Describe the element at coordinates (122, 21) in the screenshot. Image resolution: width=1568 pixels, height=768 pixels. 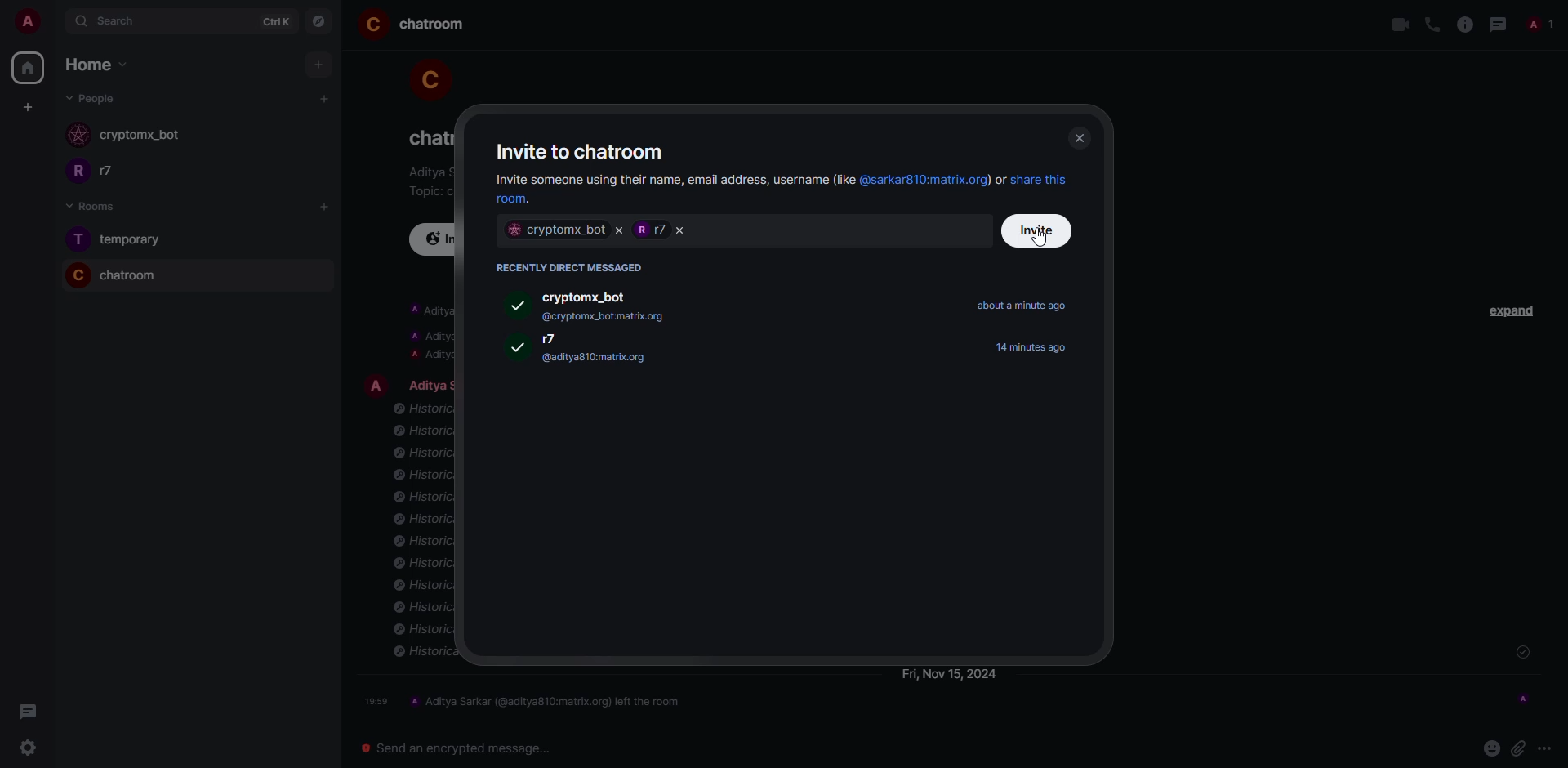
I see `search` at that location.